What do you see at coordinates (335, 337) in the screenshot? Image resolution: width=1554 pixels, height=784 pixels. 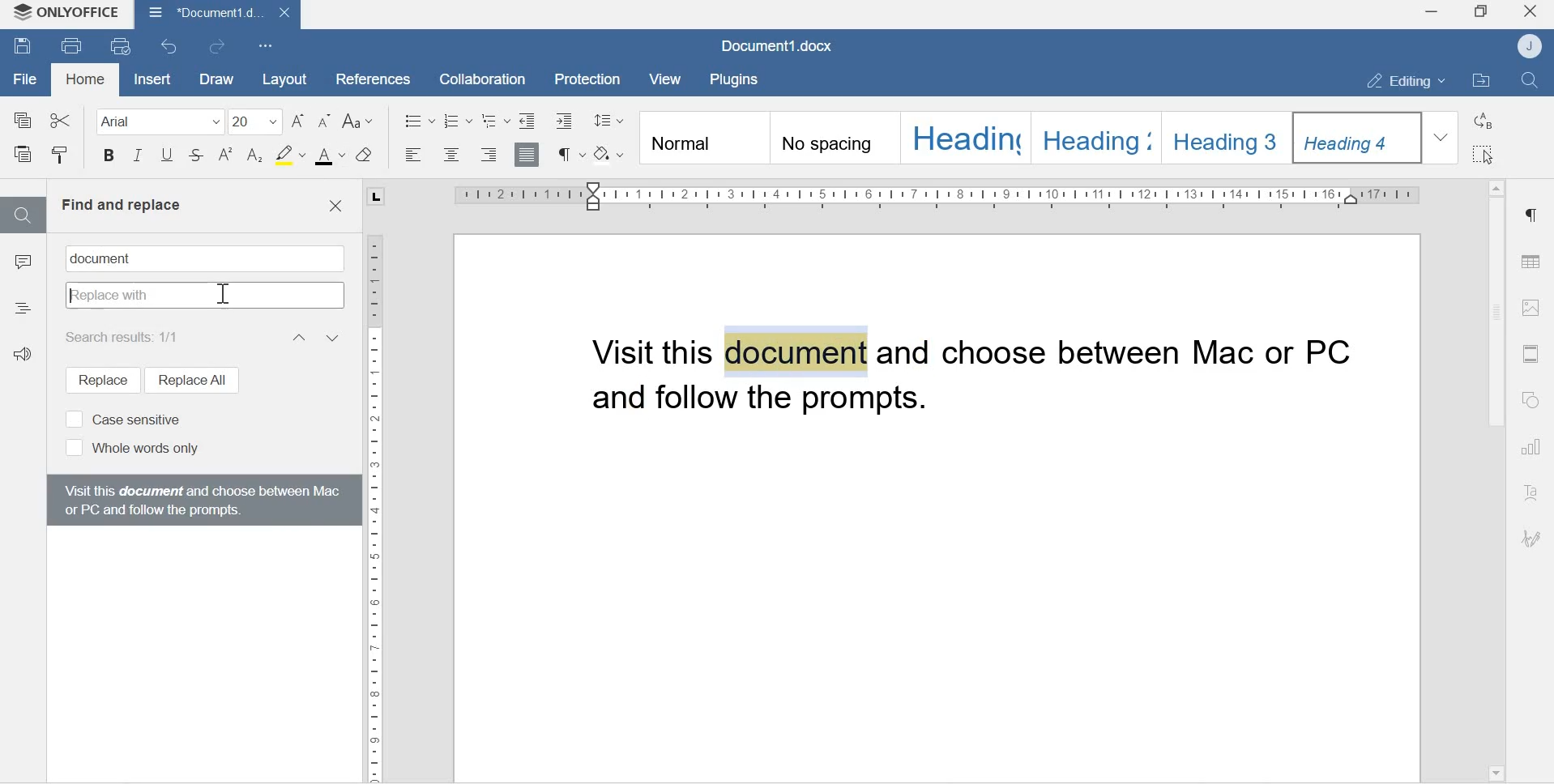 I see `Next result` at bounding box center [335, 337].